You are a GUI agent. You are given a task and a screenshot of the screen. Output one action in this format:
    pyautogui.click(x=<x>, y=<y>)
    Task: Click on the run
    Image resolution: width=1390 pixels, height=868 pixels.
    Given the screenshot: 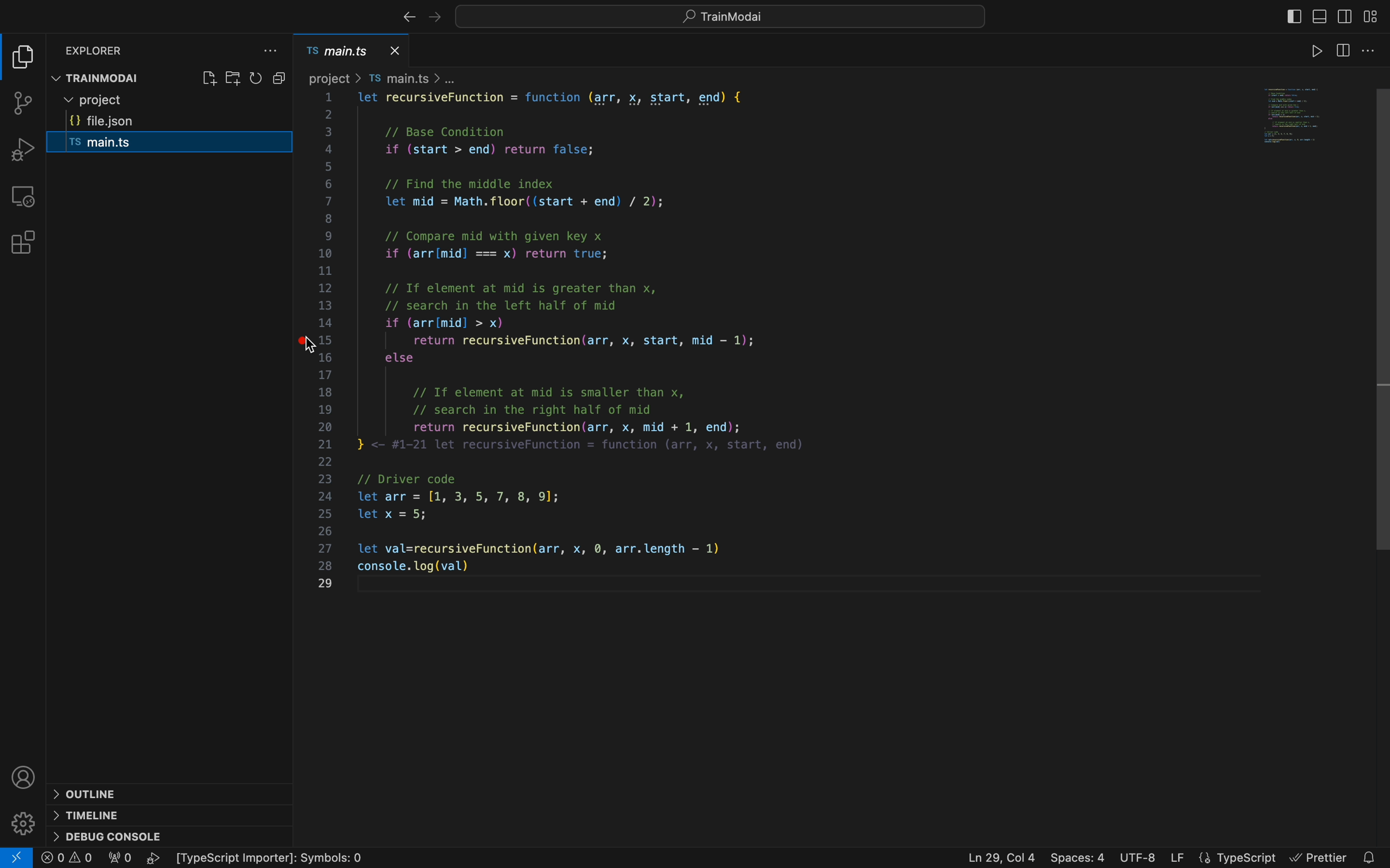 What is the action you would take?
    pyautogui.click(x=1308, y=46)
    